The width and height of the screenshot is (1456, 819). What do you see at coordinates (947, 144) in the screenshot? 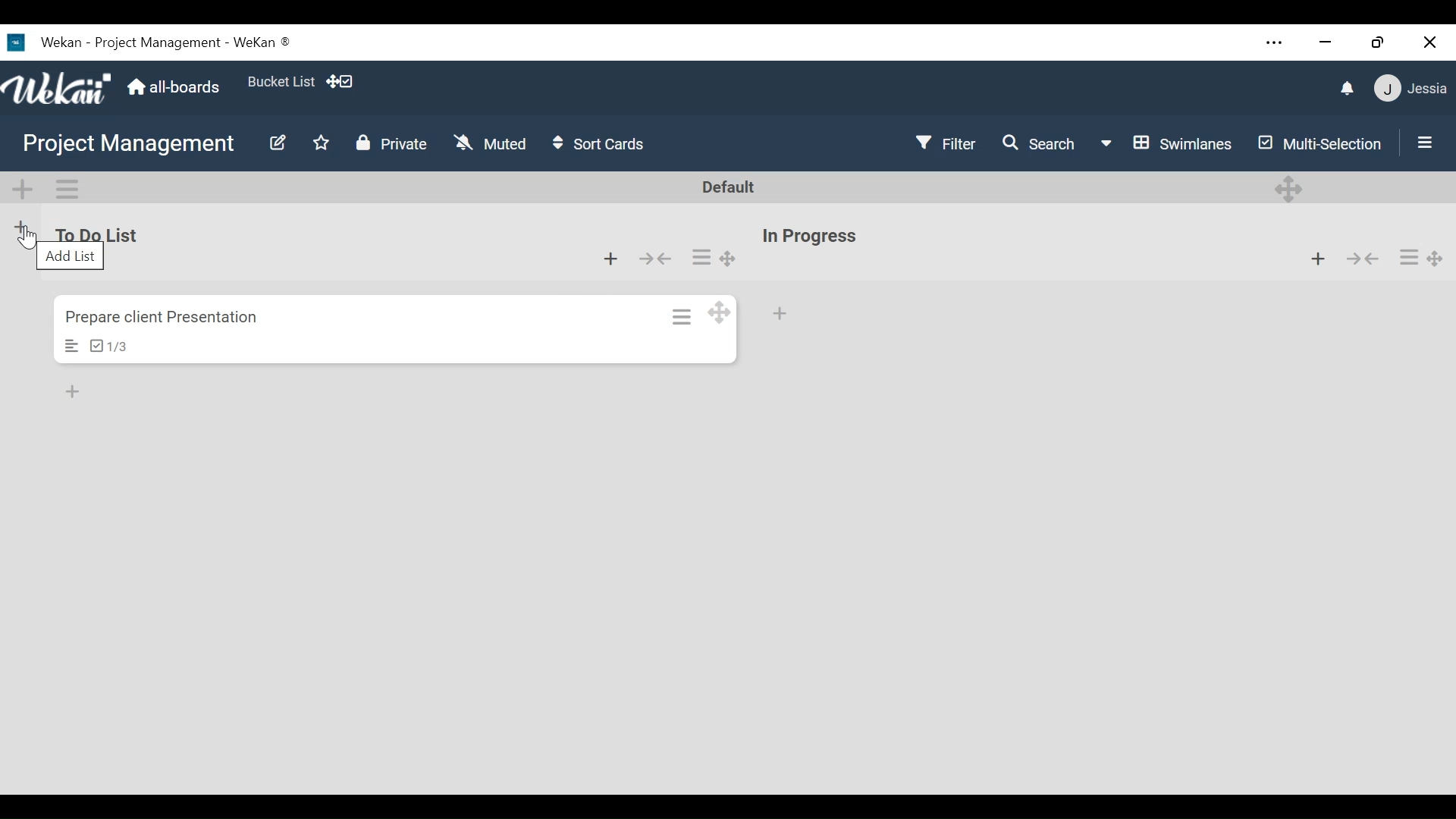
I see `Filter` at bounding box center [947, 144].